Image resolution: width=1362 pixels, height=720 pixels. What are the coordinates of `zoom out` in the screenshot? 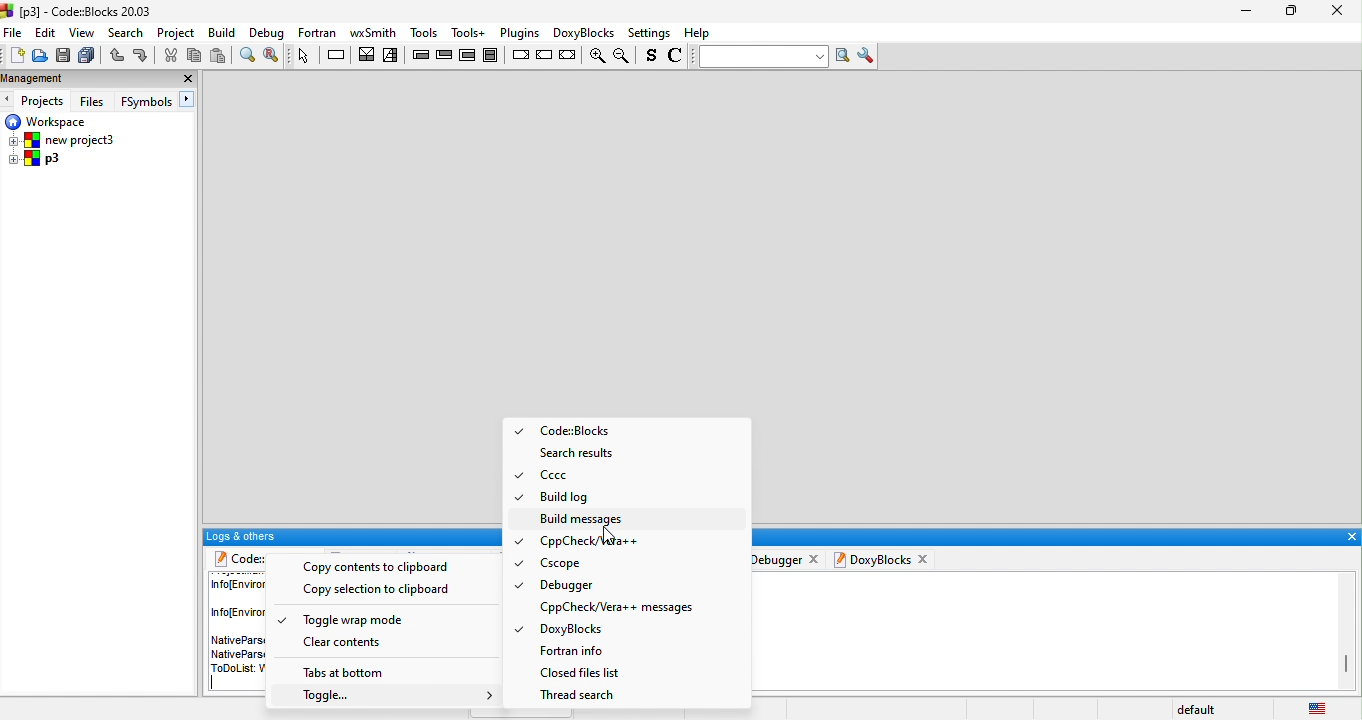 It's located at (624, 56).